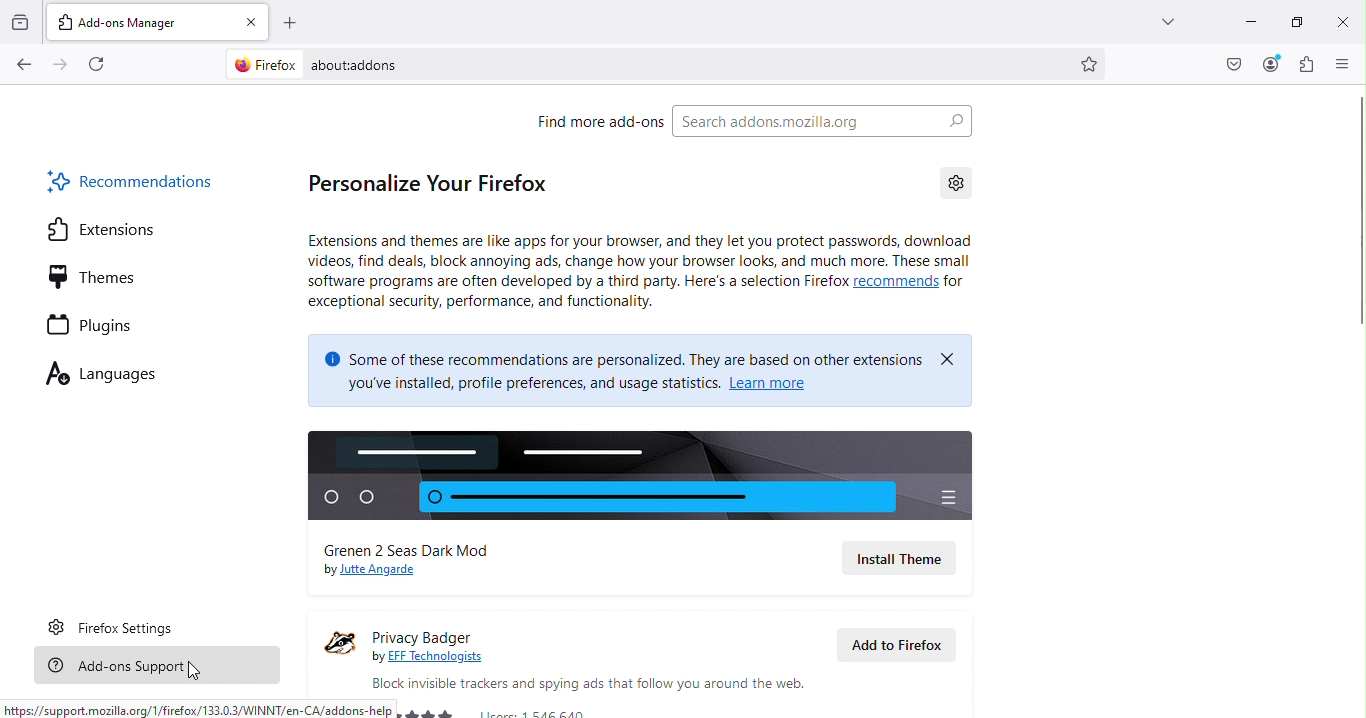 This screenshot has width=1366, height=718. What do you see at coordinates (898, 557) in the screenshot?
I see `Install theme` at bounding box center [898, 557].